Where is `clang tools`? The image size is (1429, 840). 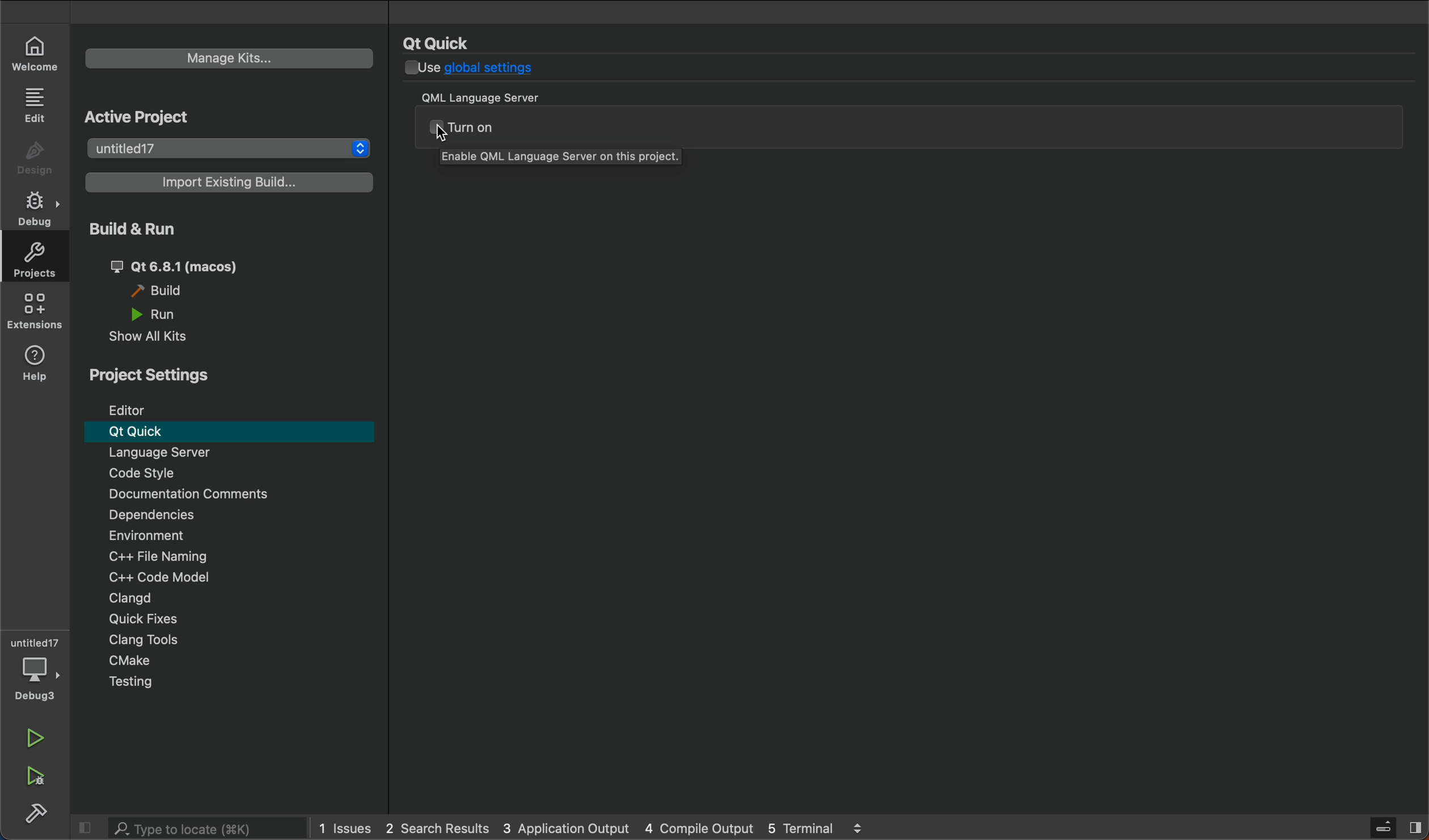 clang tools is located at coordinates (236, 639).